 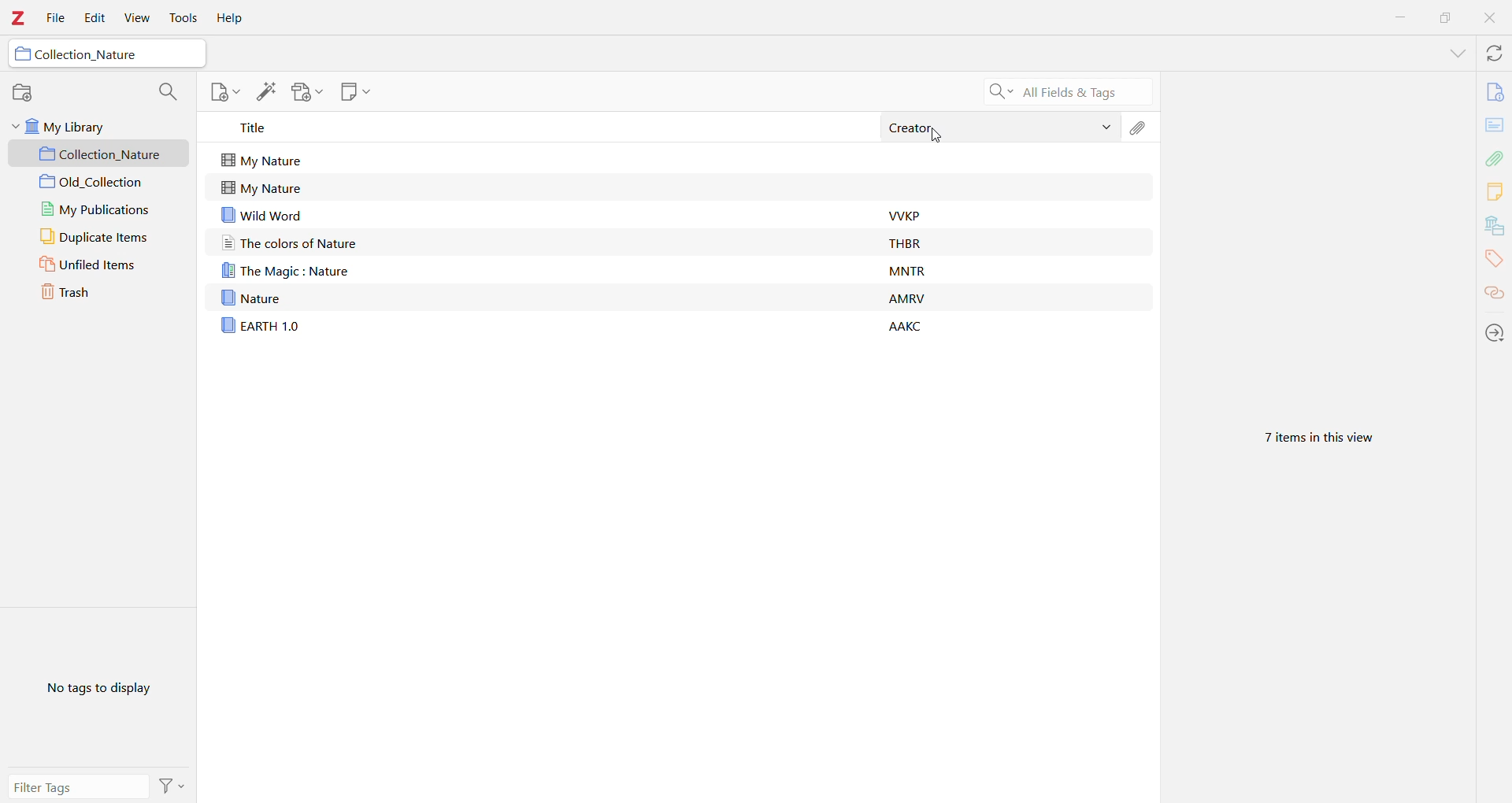 What do you see at coordinates (307, 94) in the screenshot?
I see `Add Attachment` at bounding box center [307, 94].